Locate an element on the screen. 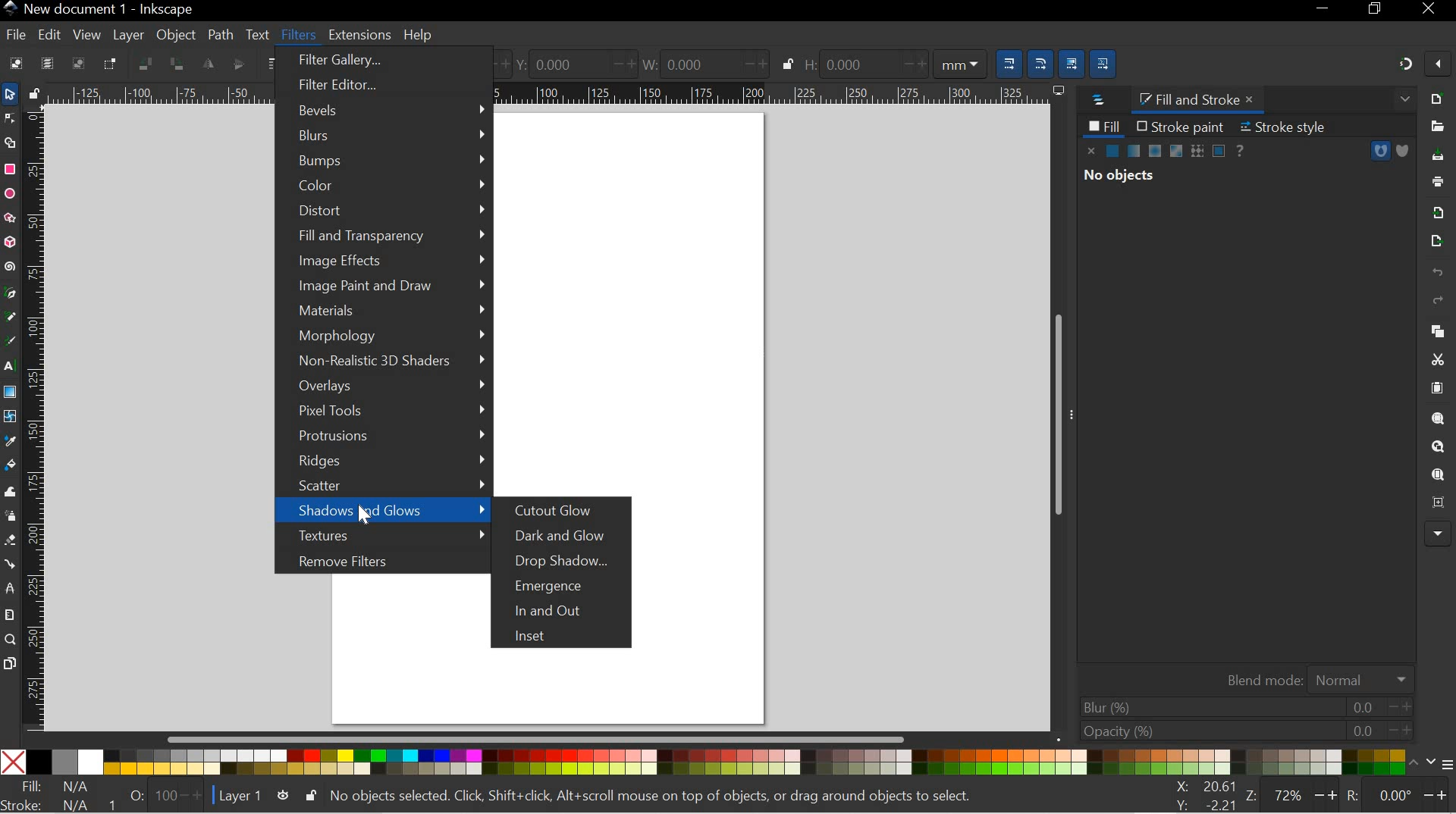  IMAGE PAINT AND DRAW is located at coordinates (386, 286).